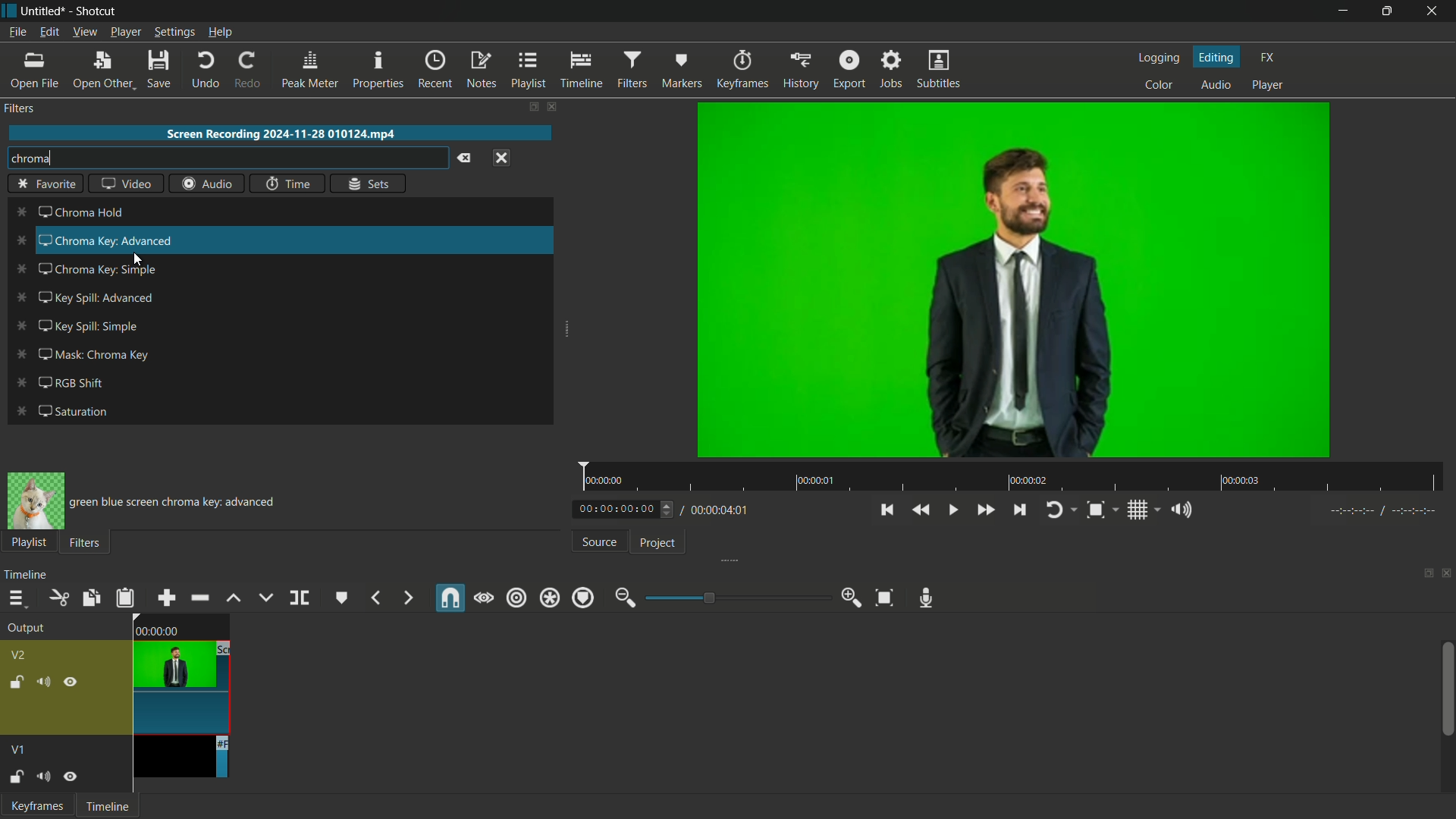  I want to click on snap, so click(451, 598).